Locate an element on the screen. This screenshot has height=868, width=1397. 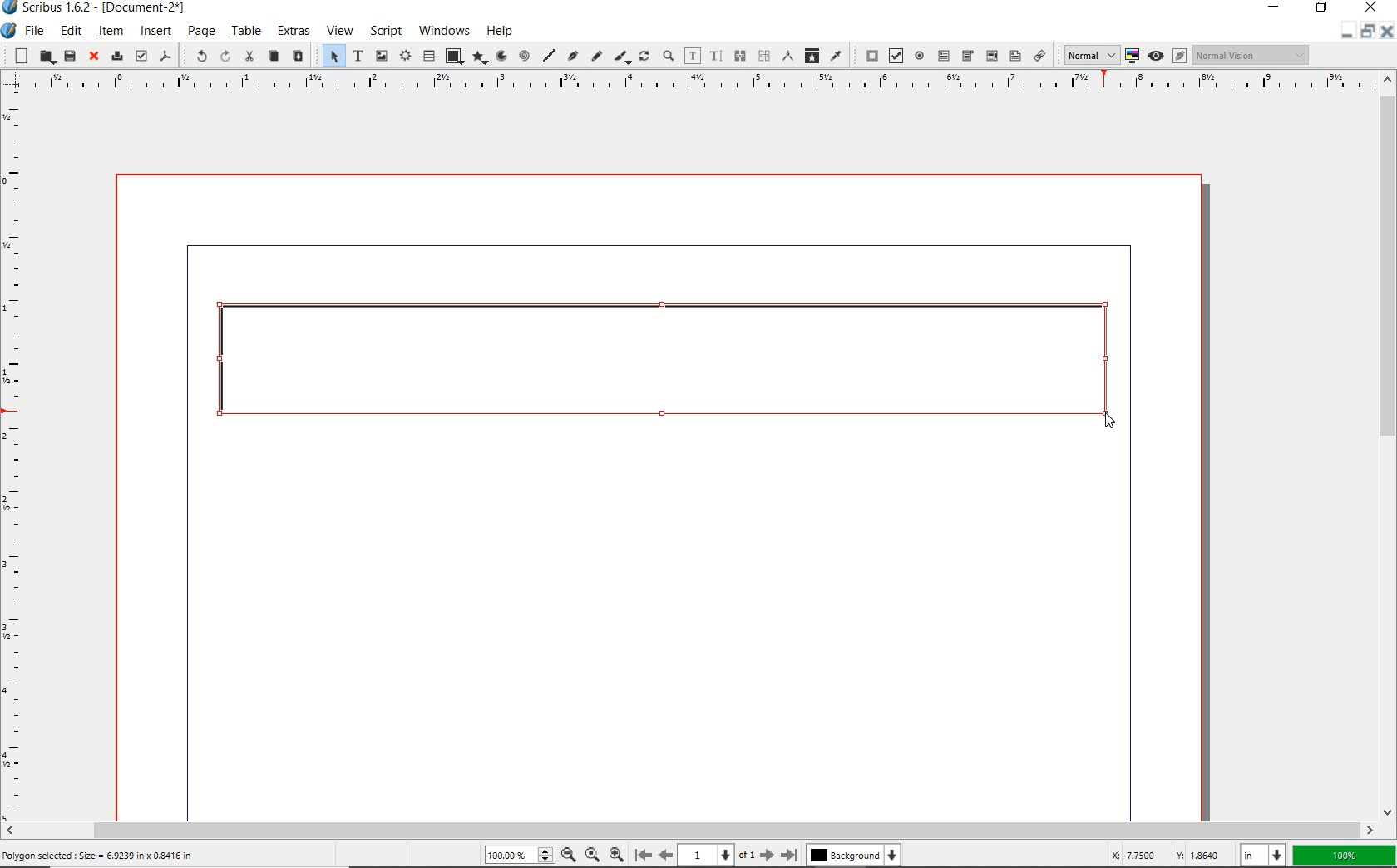
freehand line is located at coordinates (596, 57).